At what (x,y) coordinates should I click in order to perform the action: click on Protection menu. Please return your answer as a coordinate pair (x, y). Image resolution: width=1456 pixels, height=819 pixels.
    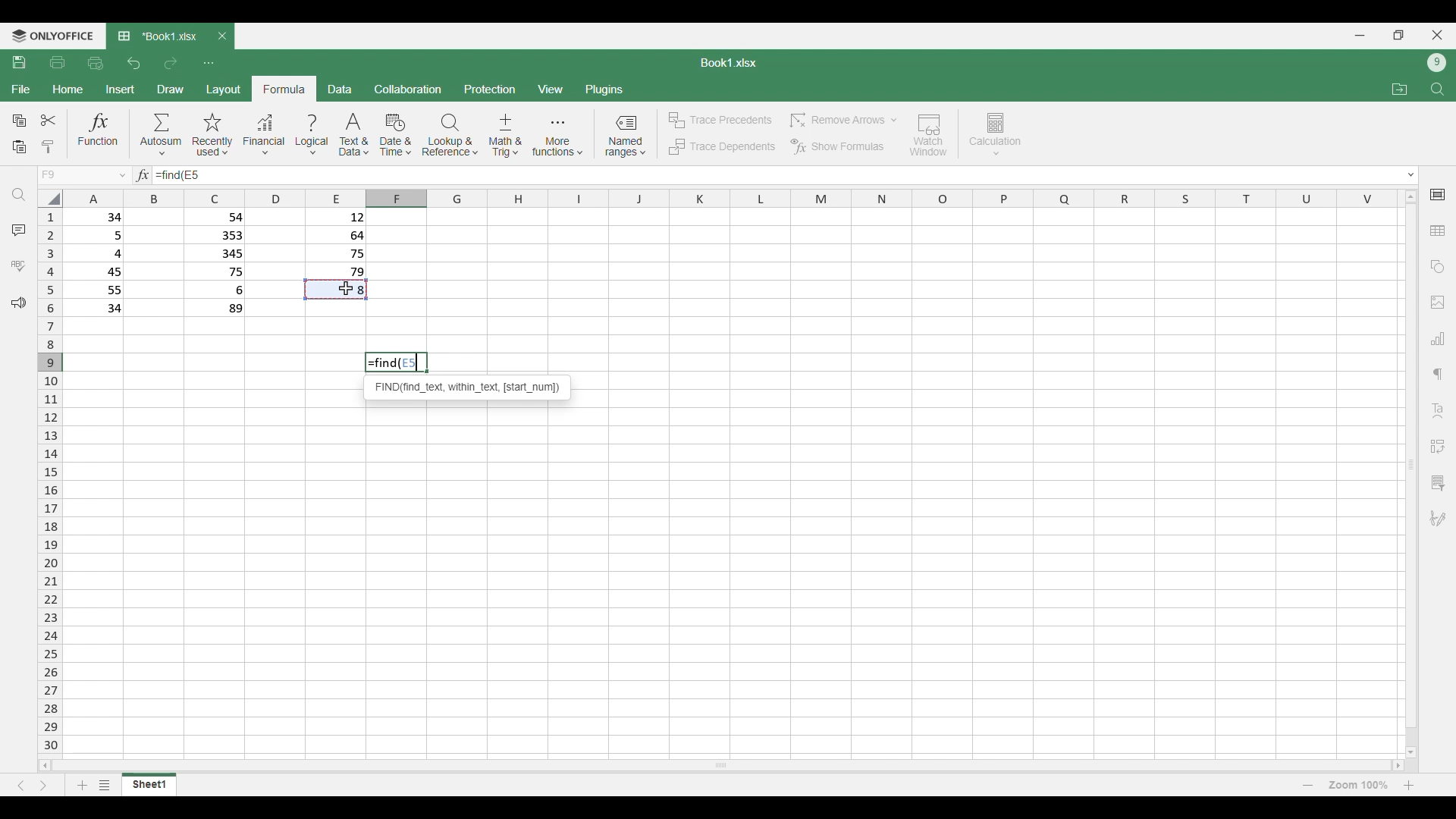
    Looking at the image, I should click on (490, 89).